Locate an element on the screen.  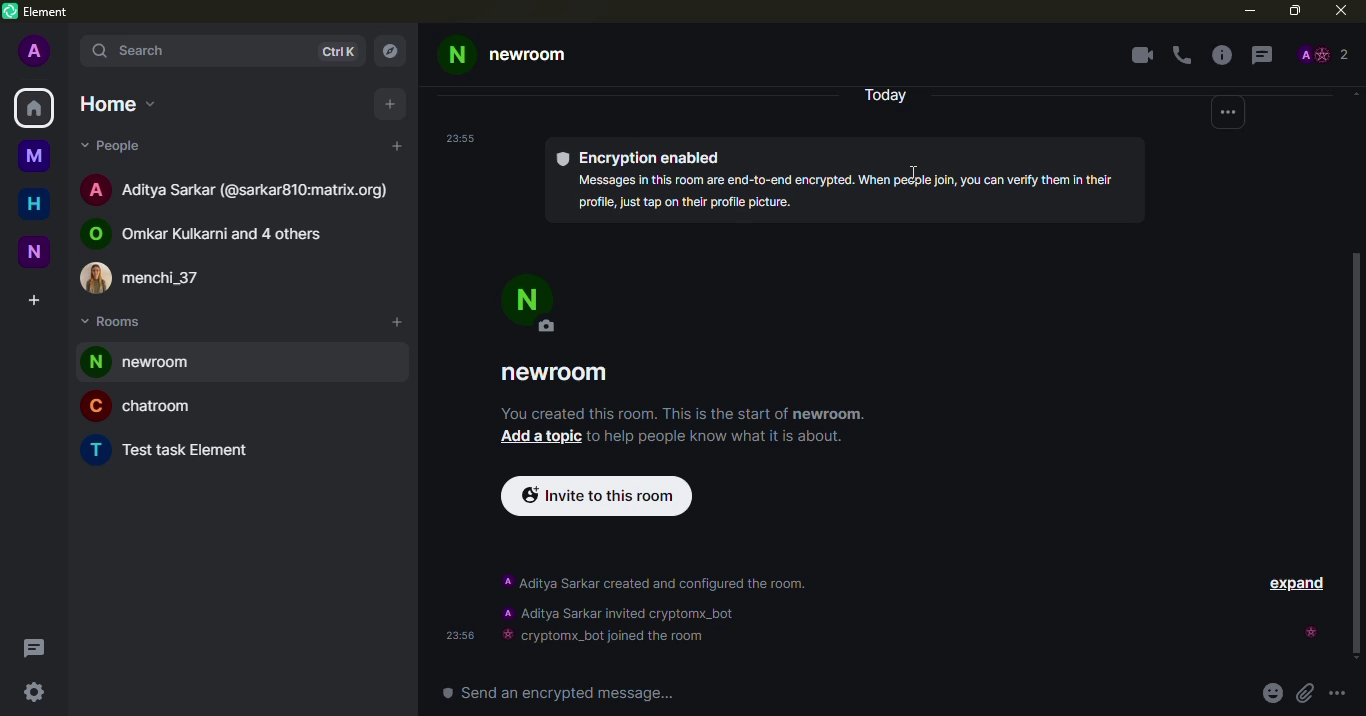
attach is located at coordinates (1303, 694).